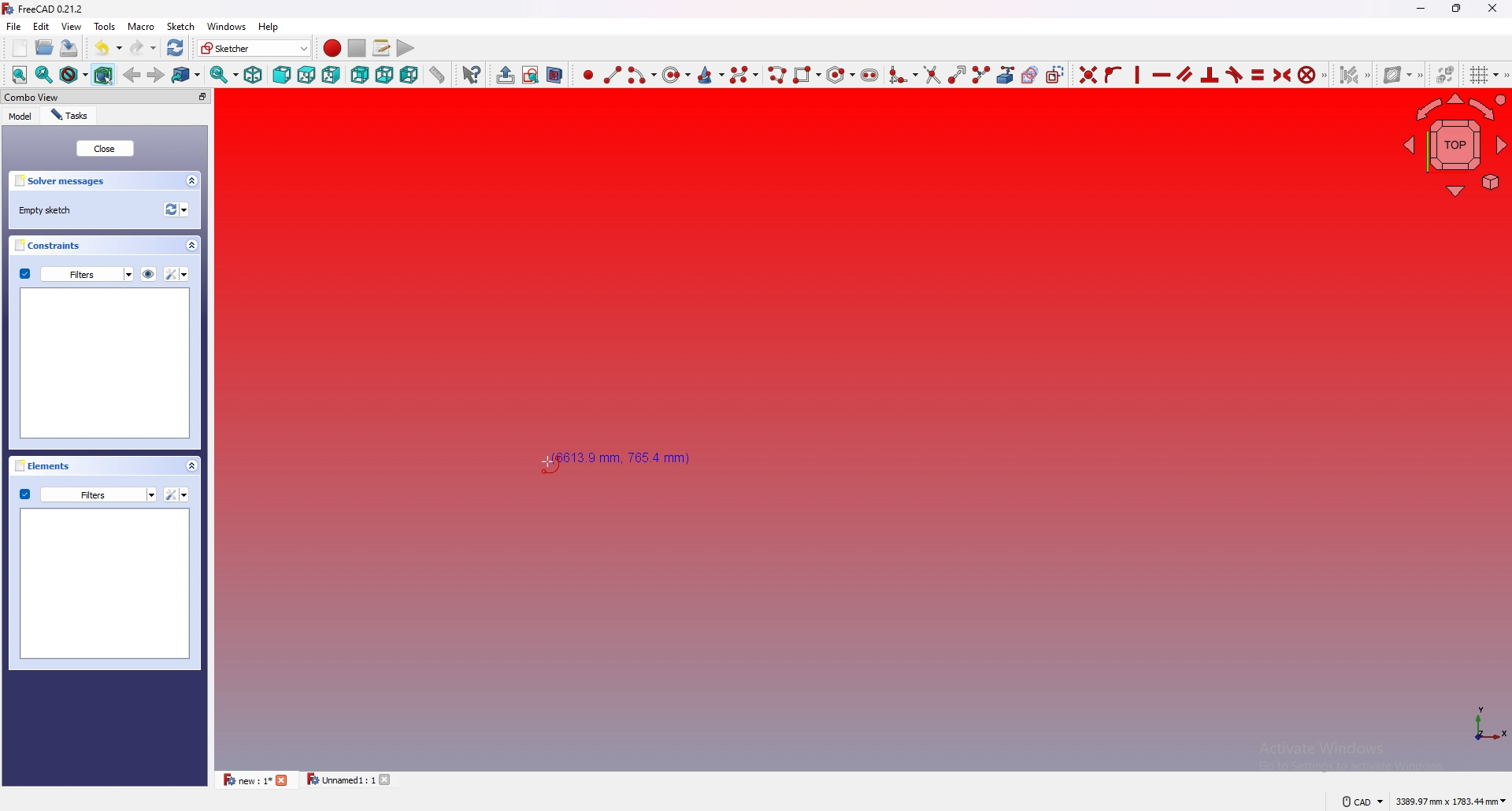  Describe the element at coordinates (69, 116) in the screenshot. I see `tasks` at that location.